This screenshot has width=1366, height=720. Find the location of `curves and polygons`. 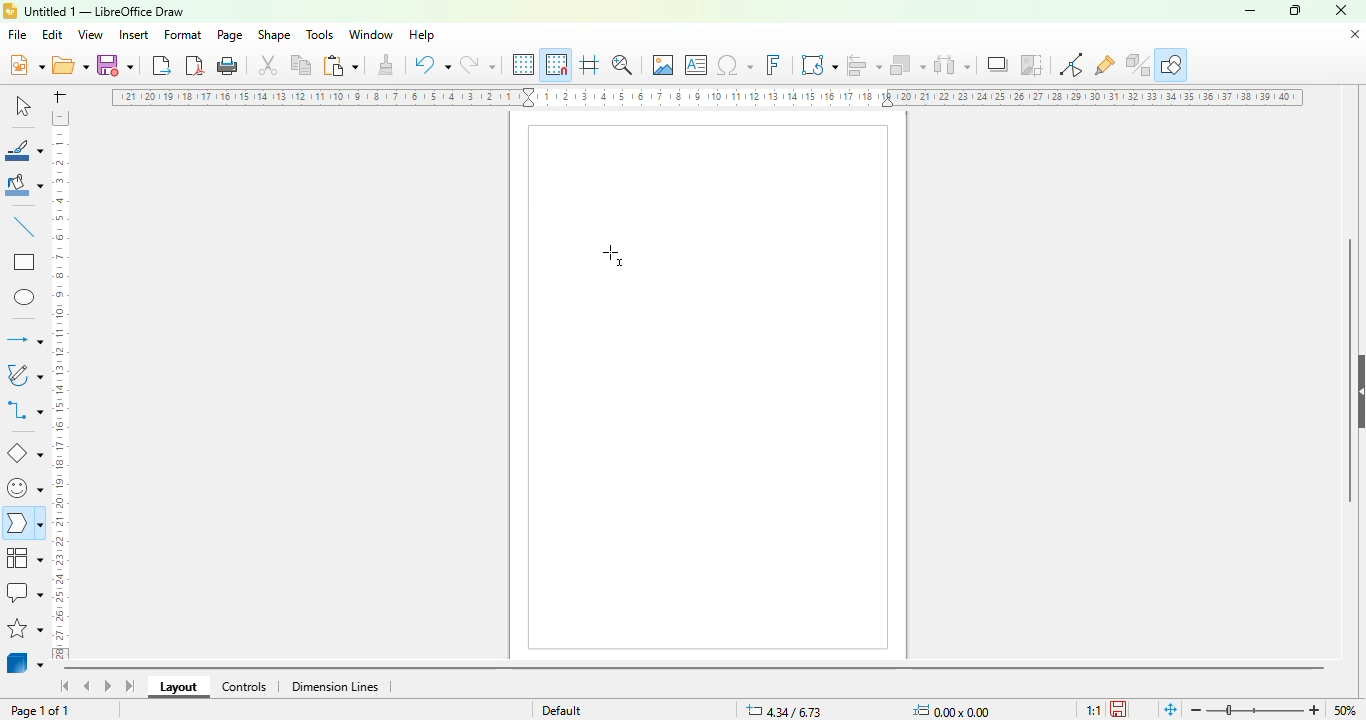

curves and polygons is located at coordinates (23, 375).